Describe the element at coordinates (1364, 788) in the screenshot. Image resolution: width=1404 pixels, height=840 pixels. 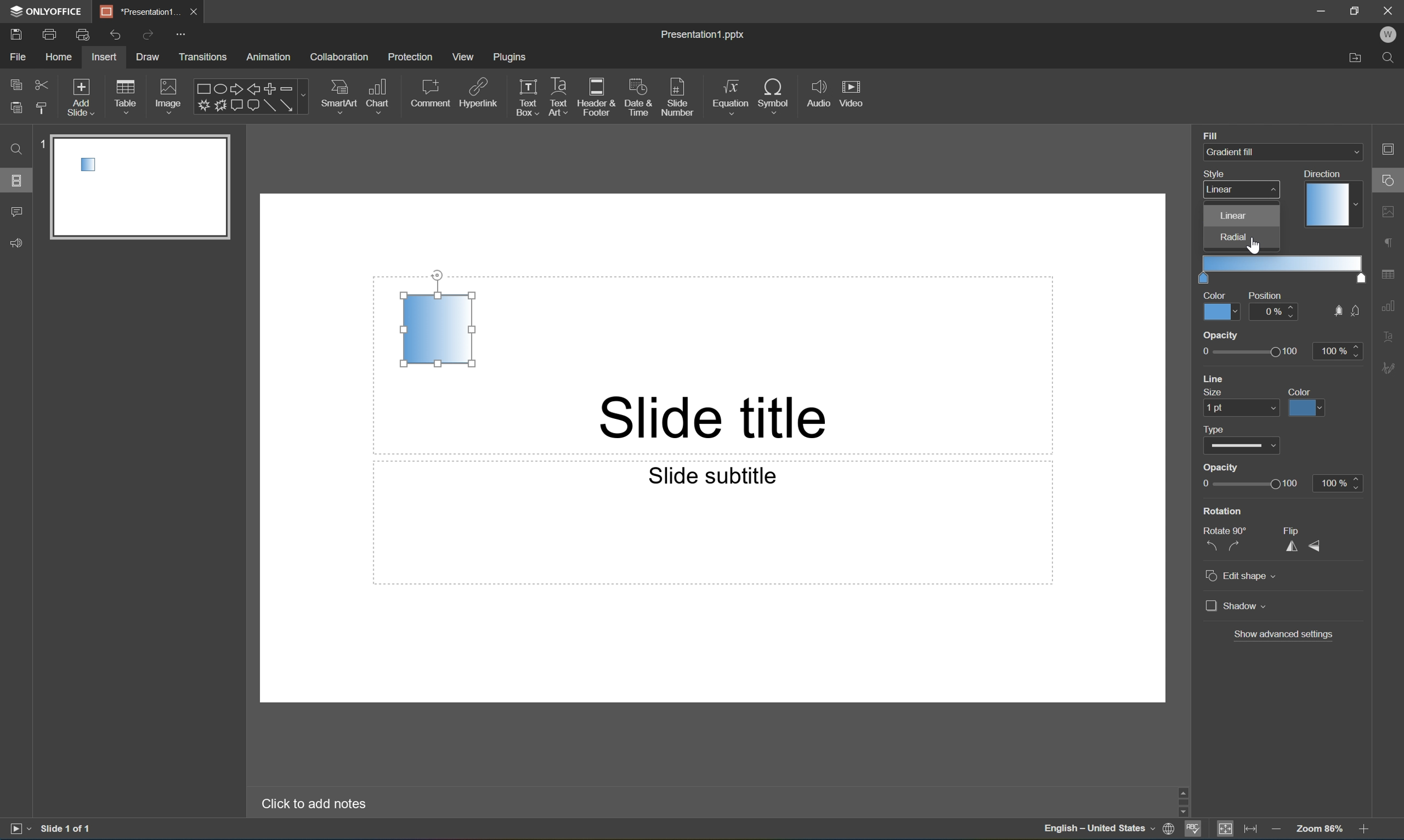
I see `Scroll Up` at that location.